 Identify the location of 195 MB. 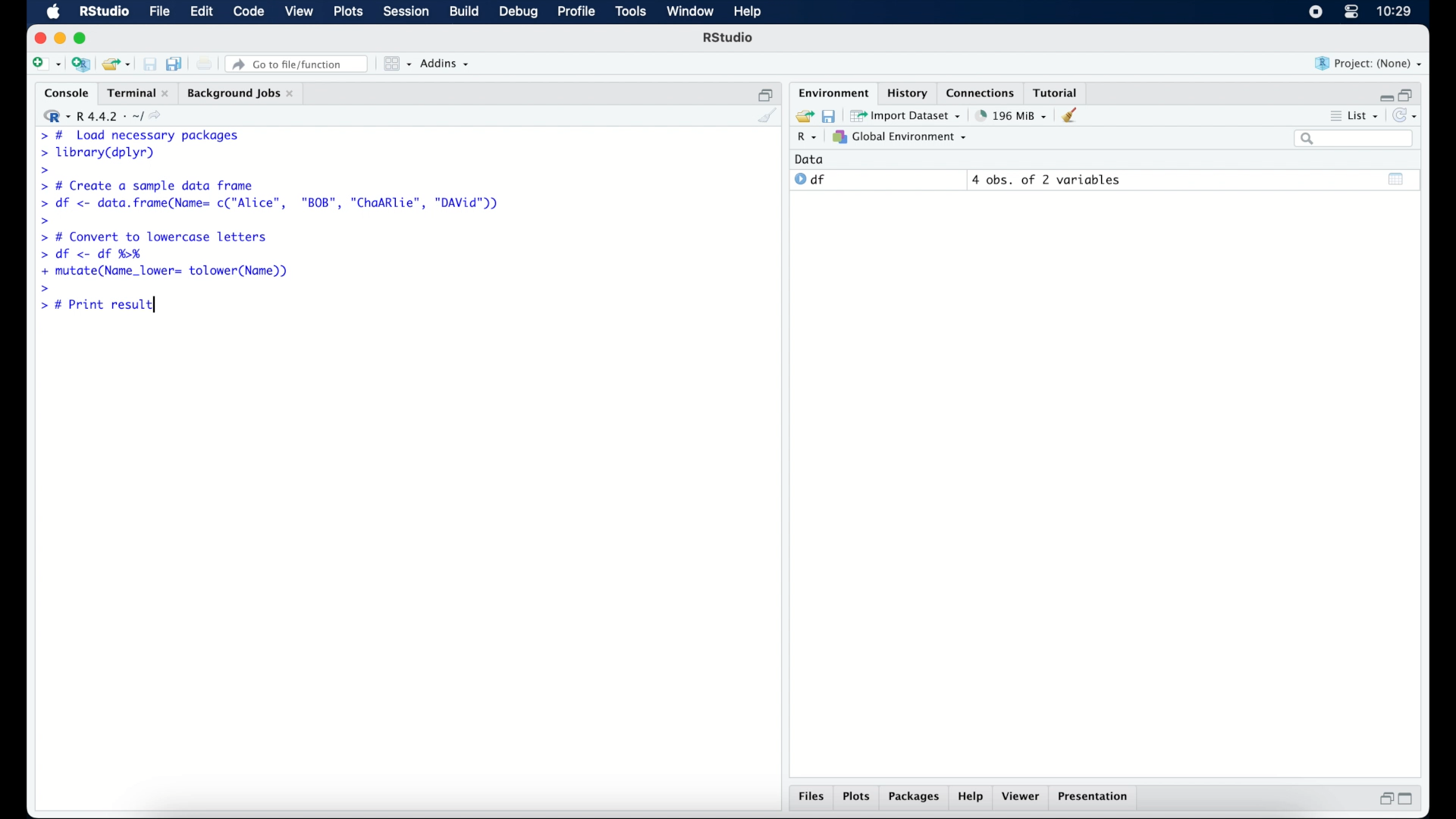
(1010, 115).